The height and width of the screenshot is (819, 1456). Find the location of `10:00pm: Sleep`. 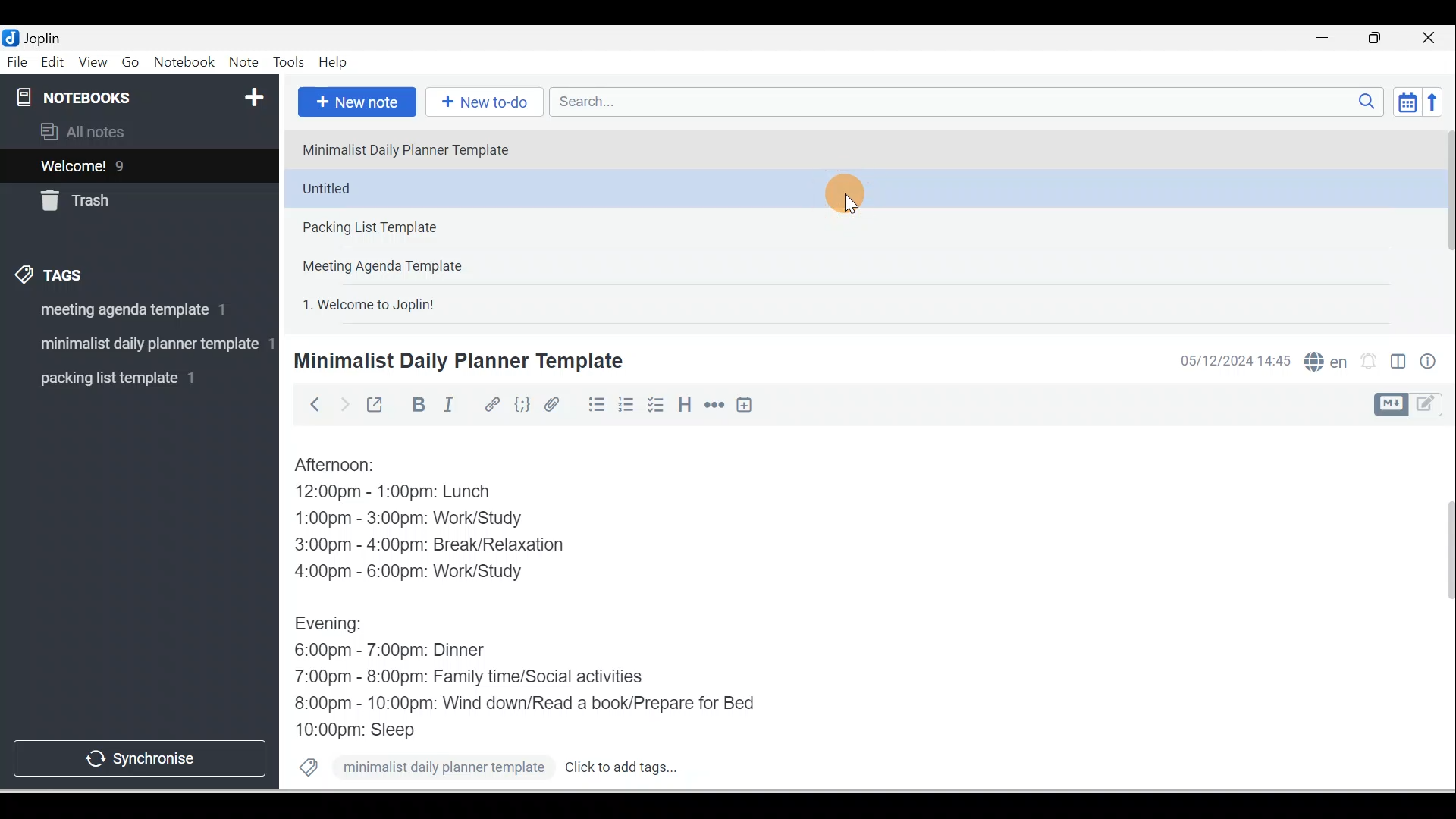

10:00pm: Sleep is located at coordinates (363, 729).